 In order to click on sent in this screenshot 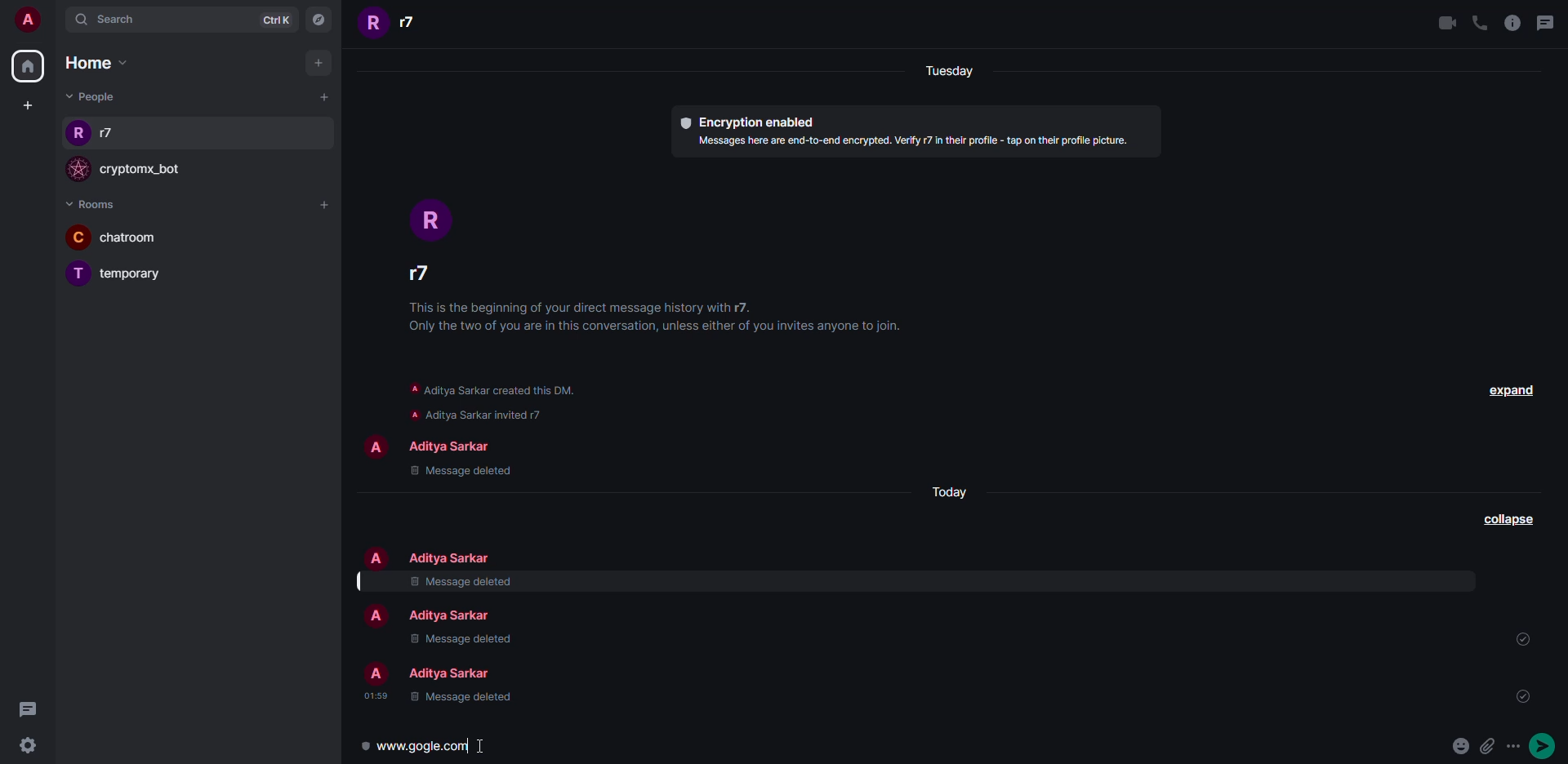, I will do `click(1521, 695)`.